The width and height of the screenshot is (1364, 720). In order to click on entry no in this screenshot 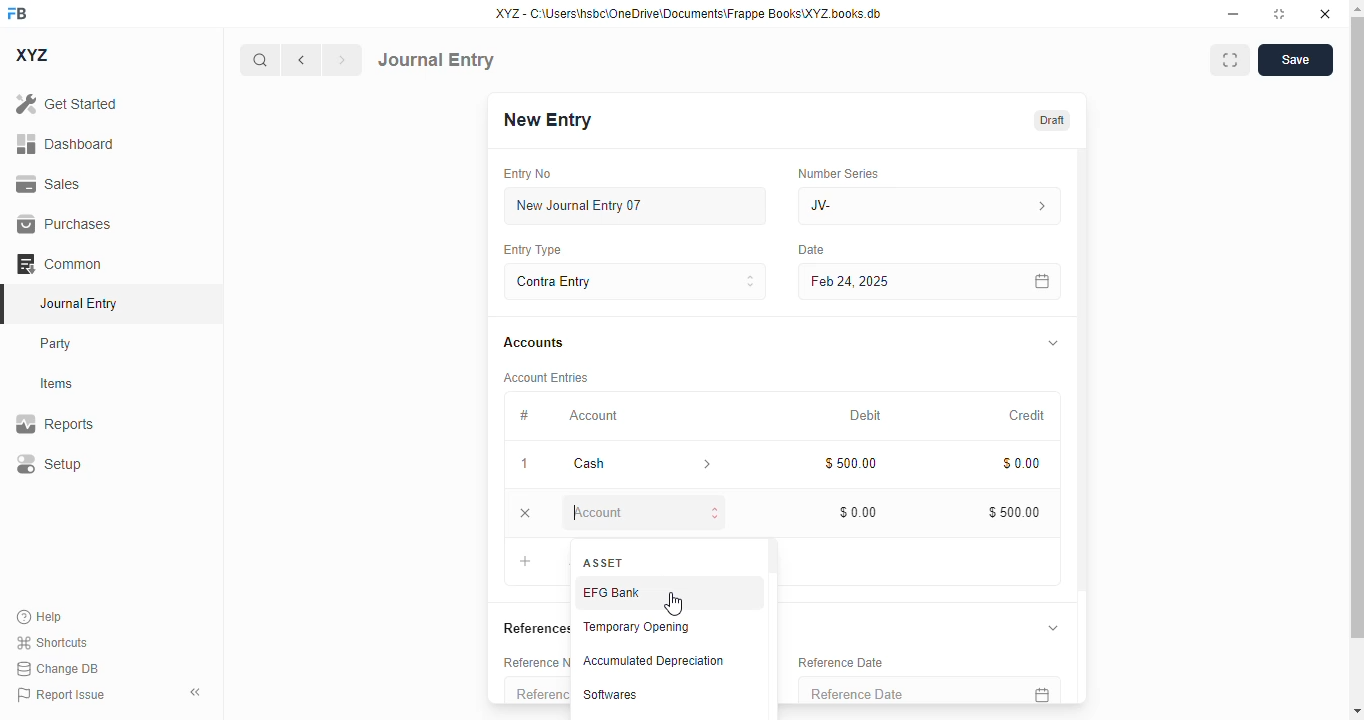, I will do `click(528, 173)`.